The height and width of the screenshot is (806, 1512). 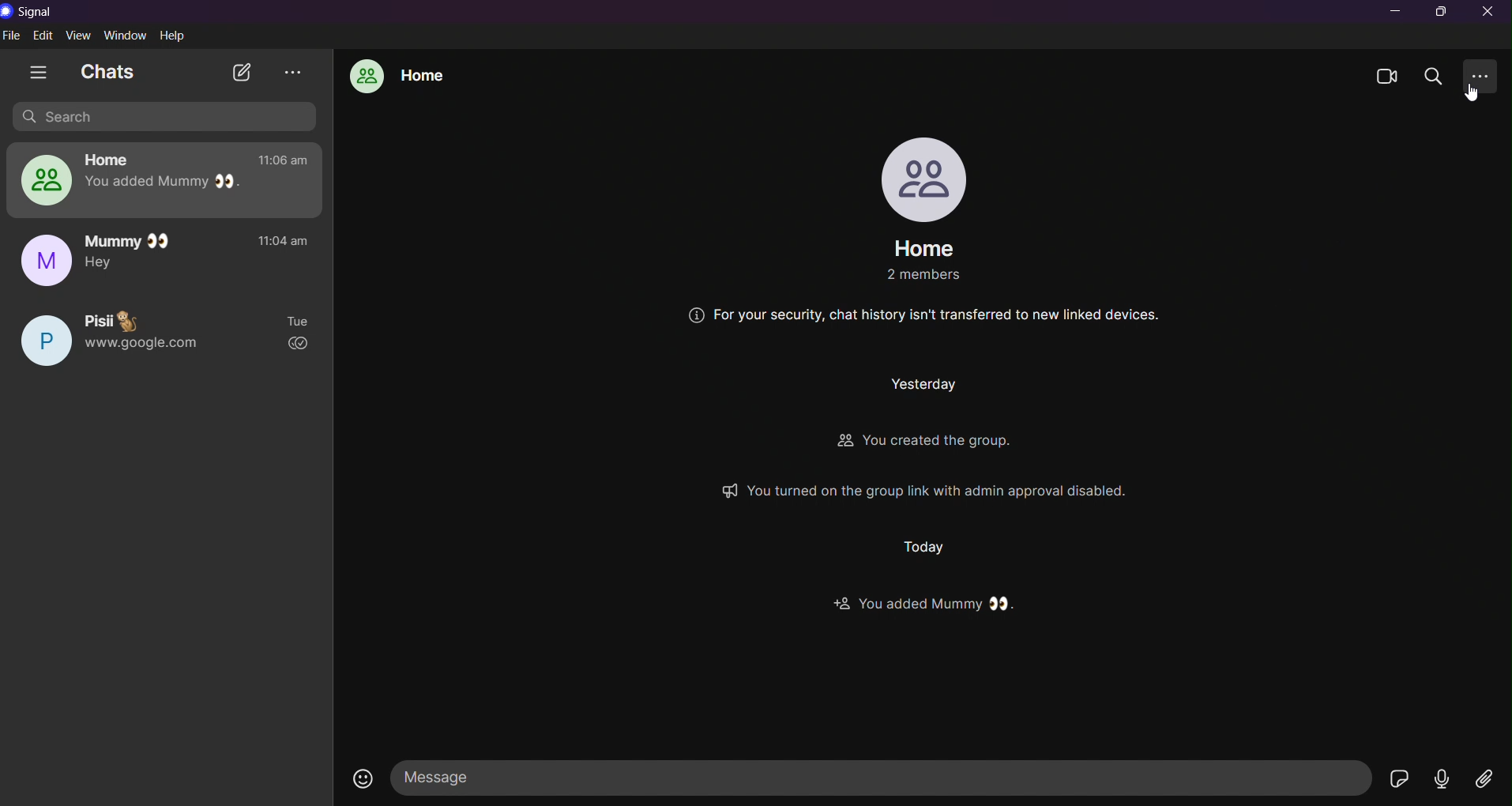 What do you see at coordinates (1438, 75) in the screenshot?
I see `search` at bounding box center [1438, 75].